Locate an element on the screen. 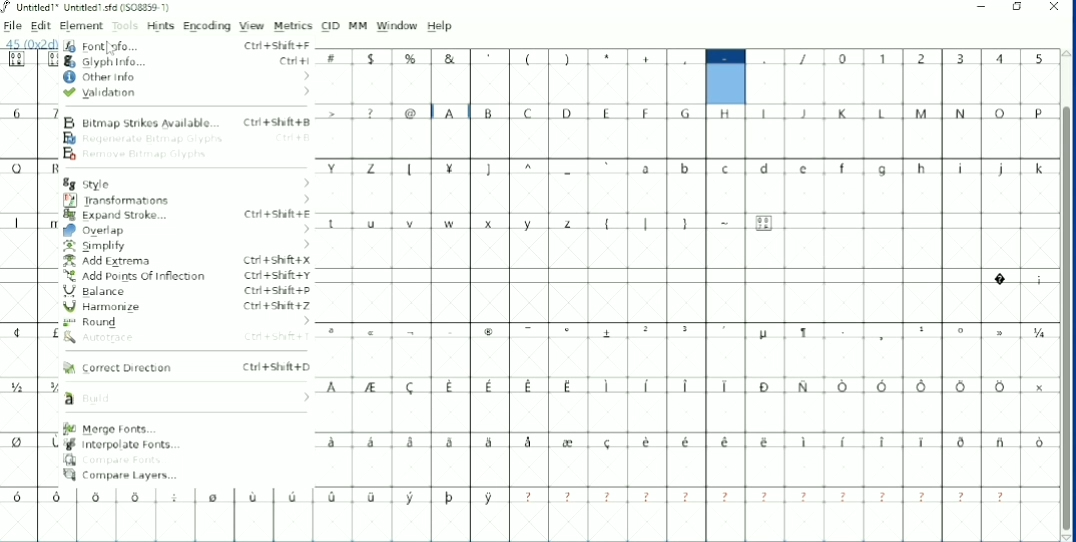  Overlap is located at coordinates (188, 230).